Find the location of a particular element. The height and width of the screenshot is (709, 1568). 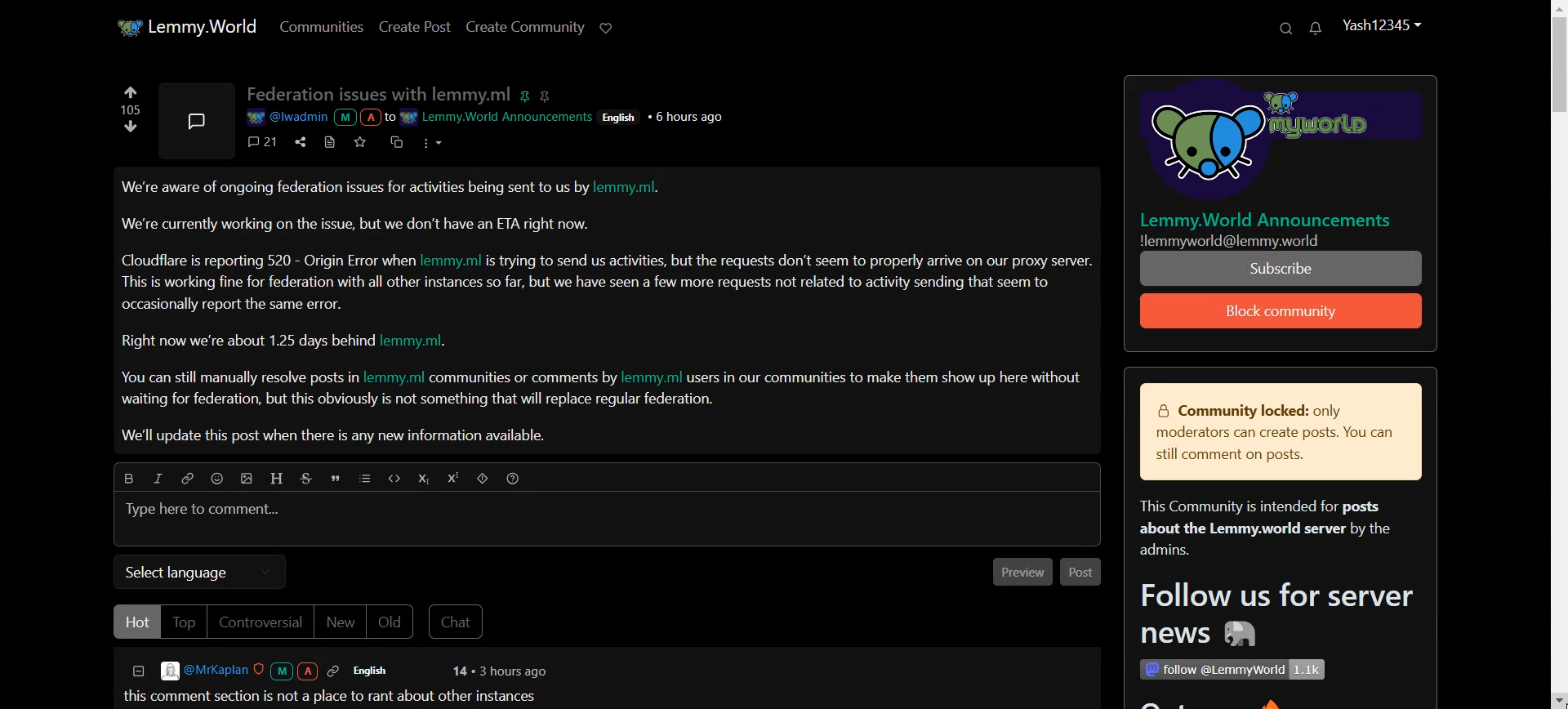

Subscribe is located at coordinates (1281, 269).